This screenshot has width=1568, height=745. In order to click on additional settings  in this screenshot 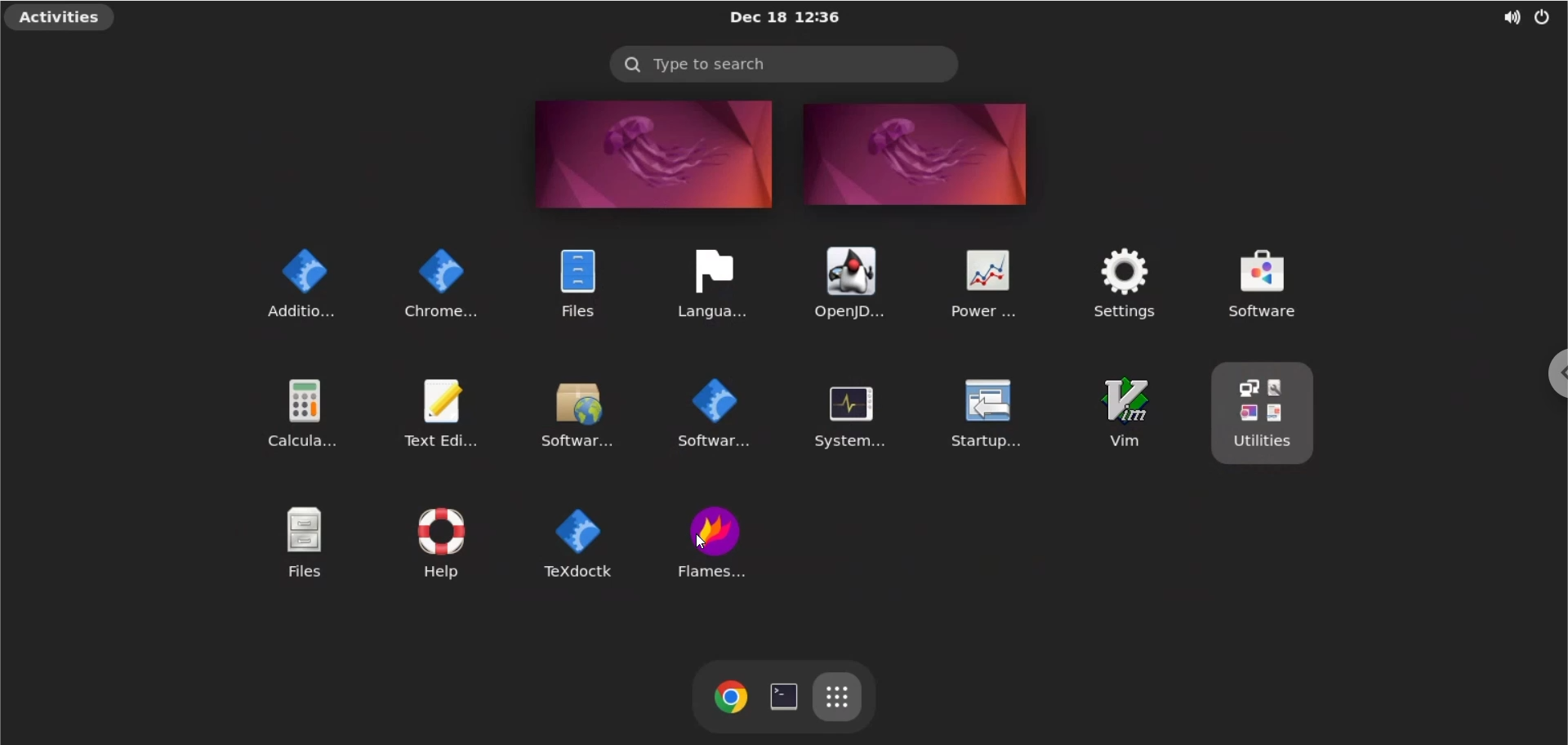, I will do `click(292, 280)`.